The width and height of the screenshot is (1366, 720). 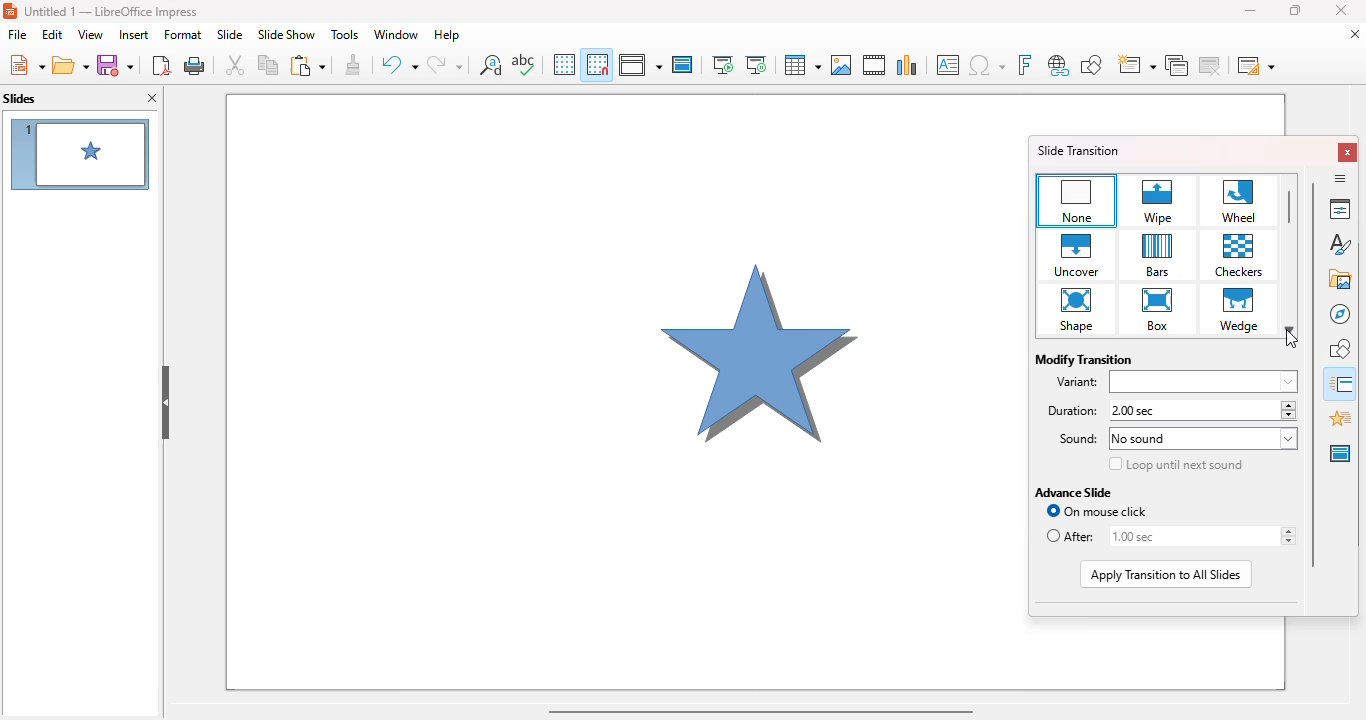 What do you see at coordinates (1239, 201) in the screenshot?
I see `wheel` at bounding box center [1239, 201].